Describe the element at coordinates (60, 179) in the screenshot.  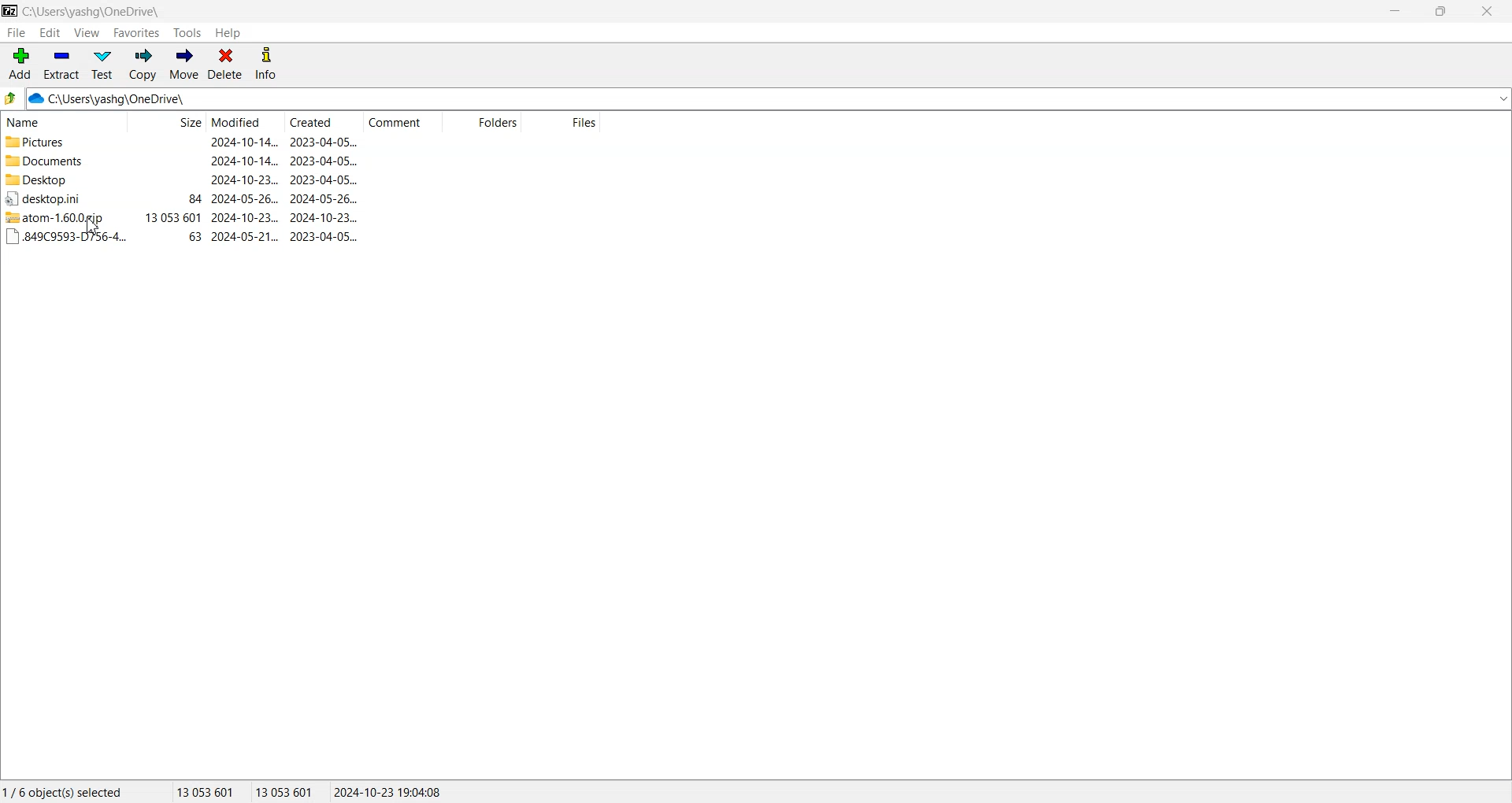
I see `Desktop File` at that location.